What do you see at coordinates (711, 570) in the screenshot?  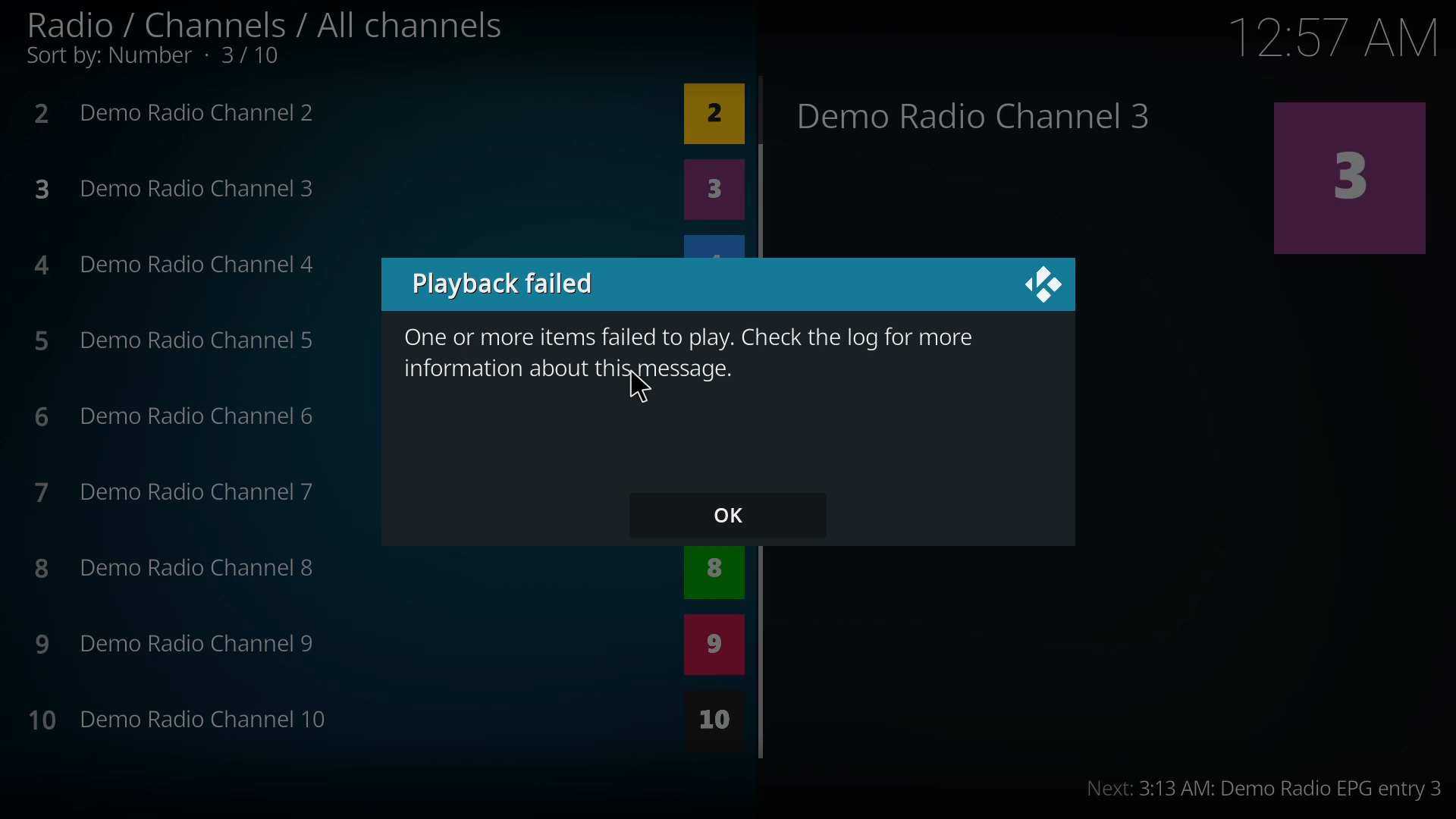 I see `8` at bounding box center [711, 570].